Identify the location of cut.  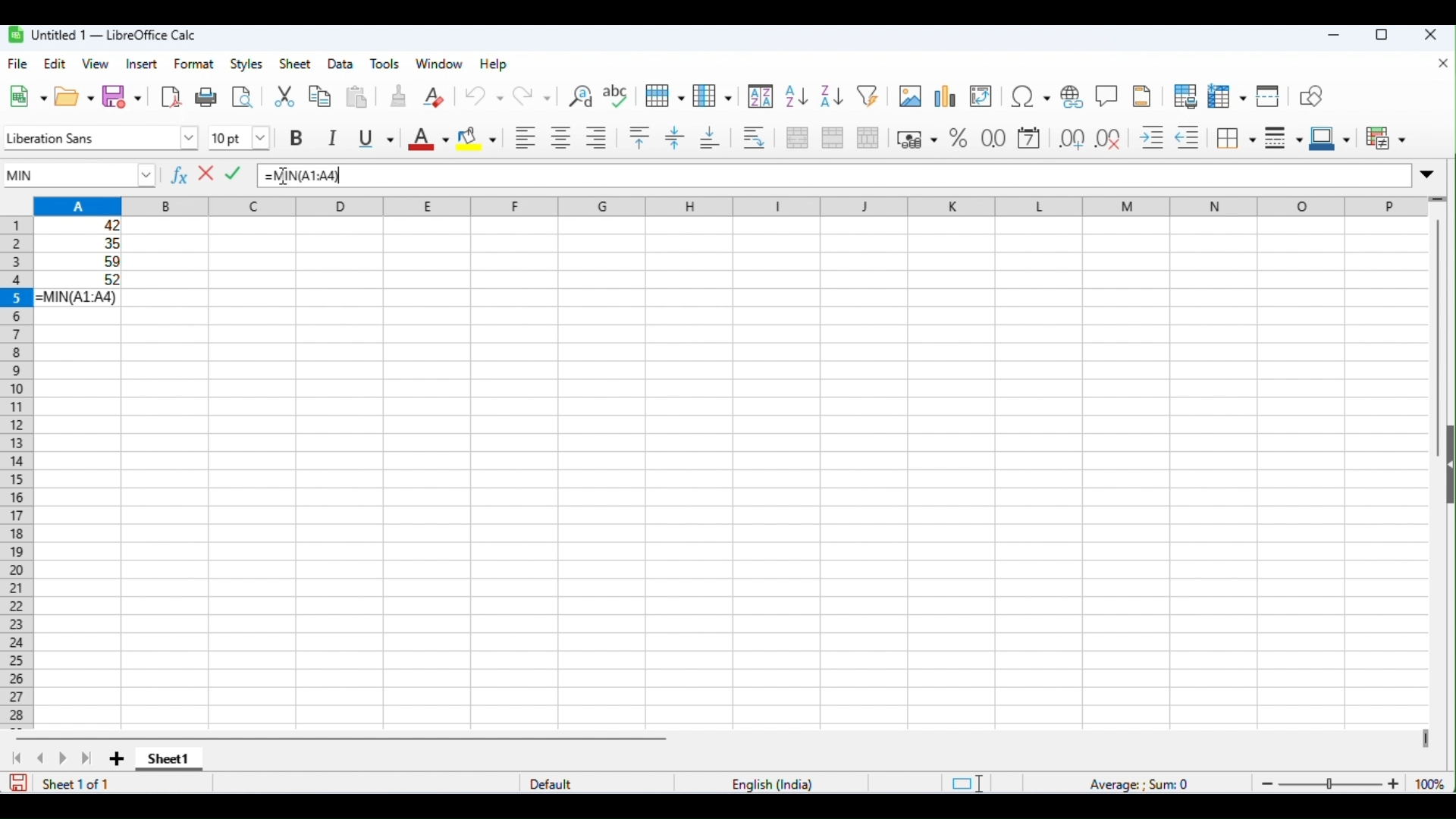
(287, 97).